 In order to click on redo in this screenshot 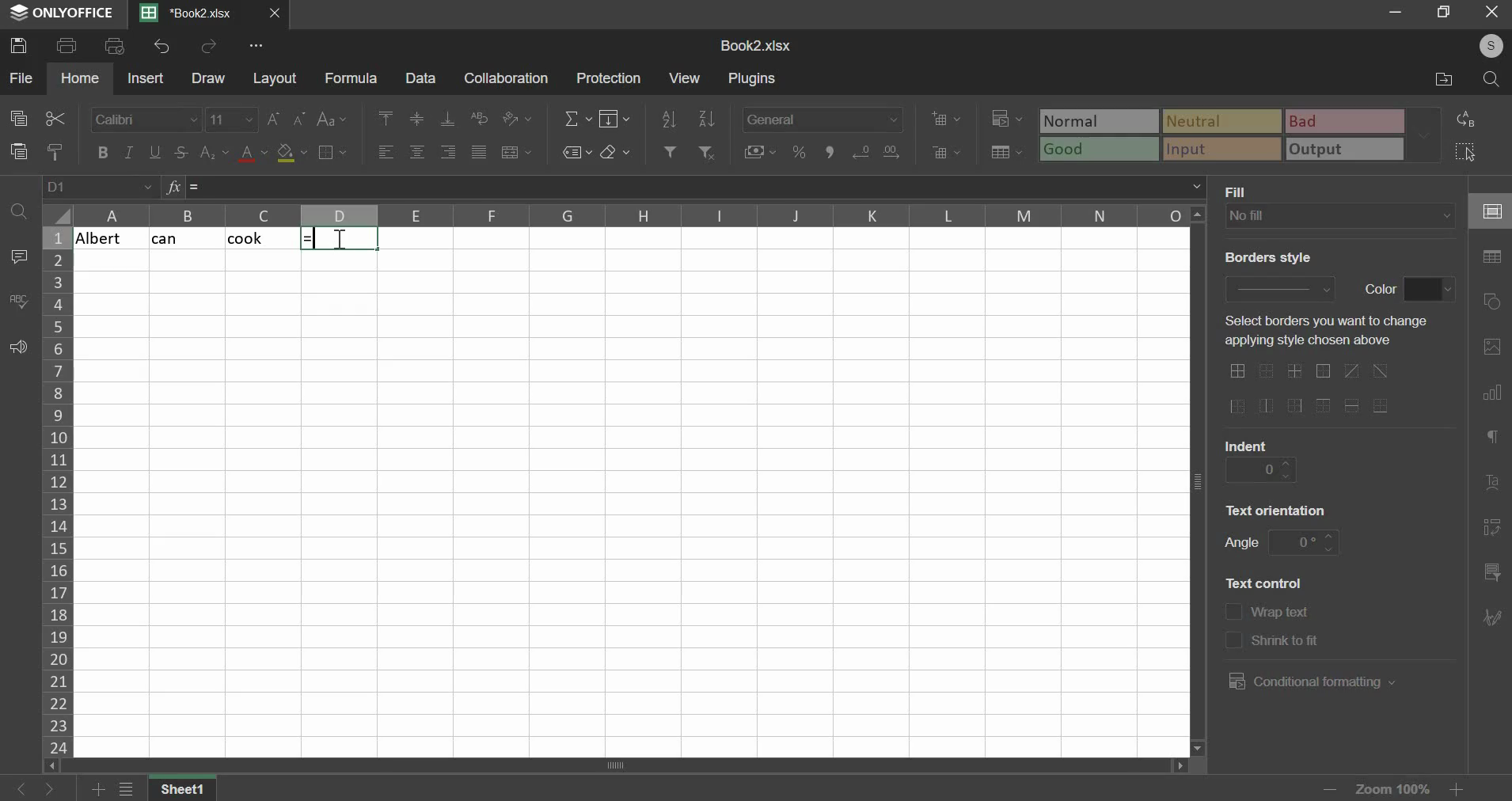, I will do `click(211, 47)`.